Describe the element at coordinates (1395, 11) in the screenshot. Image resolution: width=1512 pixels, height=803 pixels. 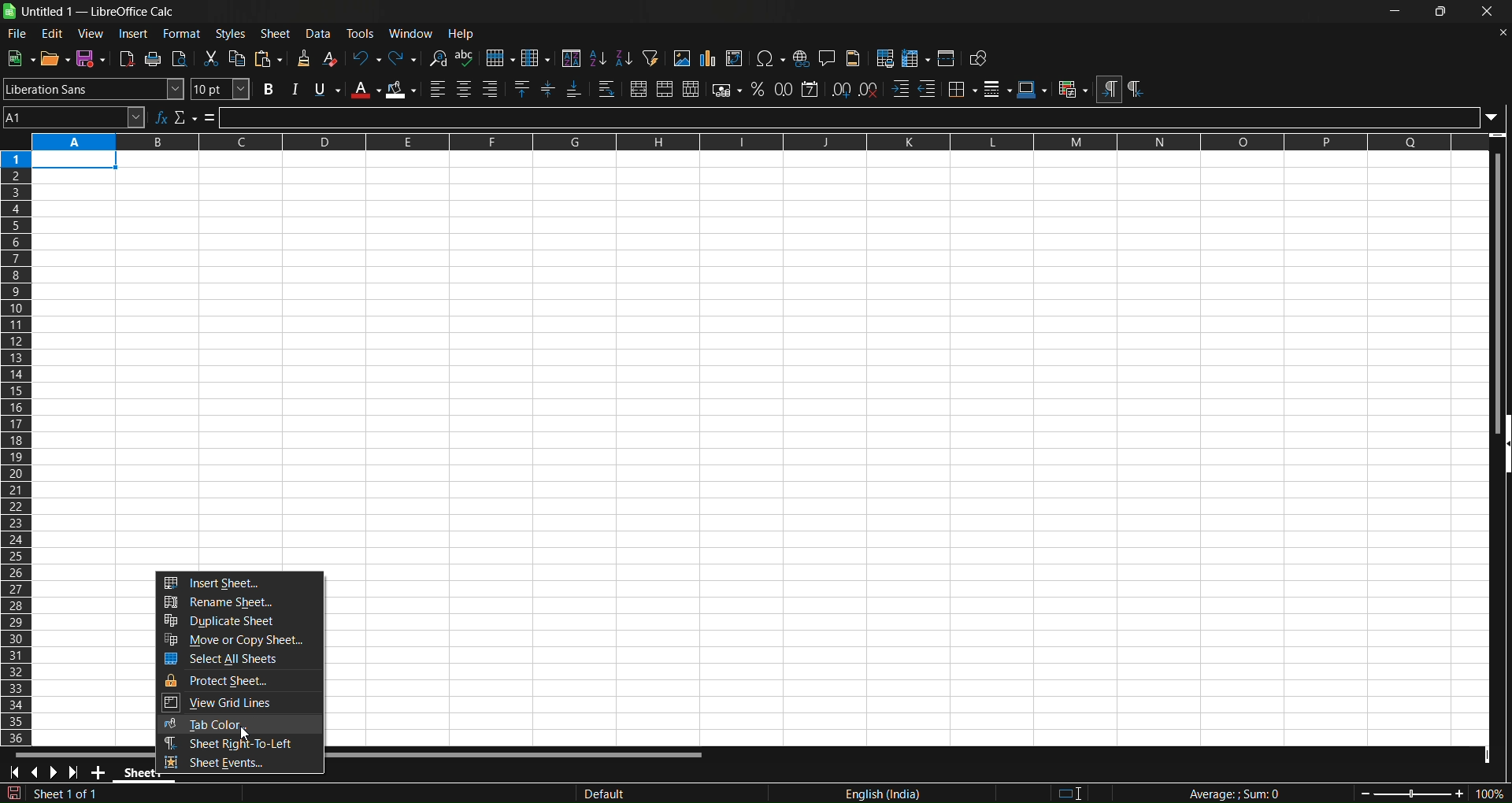
I see `minimize` at that location.